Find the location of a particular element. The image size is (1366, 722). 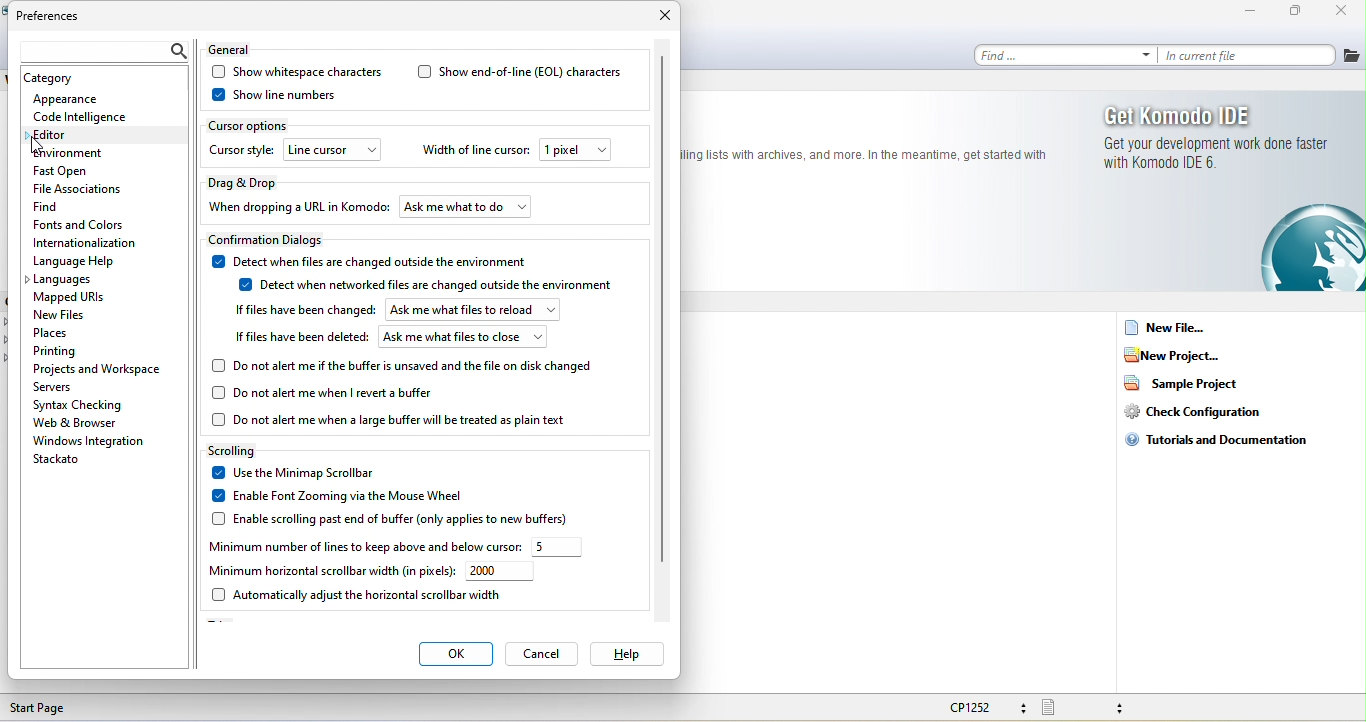

cursor style is located at coordinates (242, 150).